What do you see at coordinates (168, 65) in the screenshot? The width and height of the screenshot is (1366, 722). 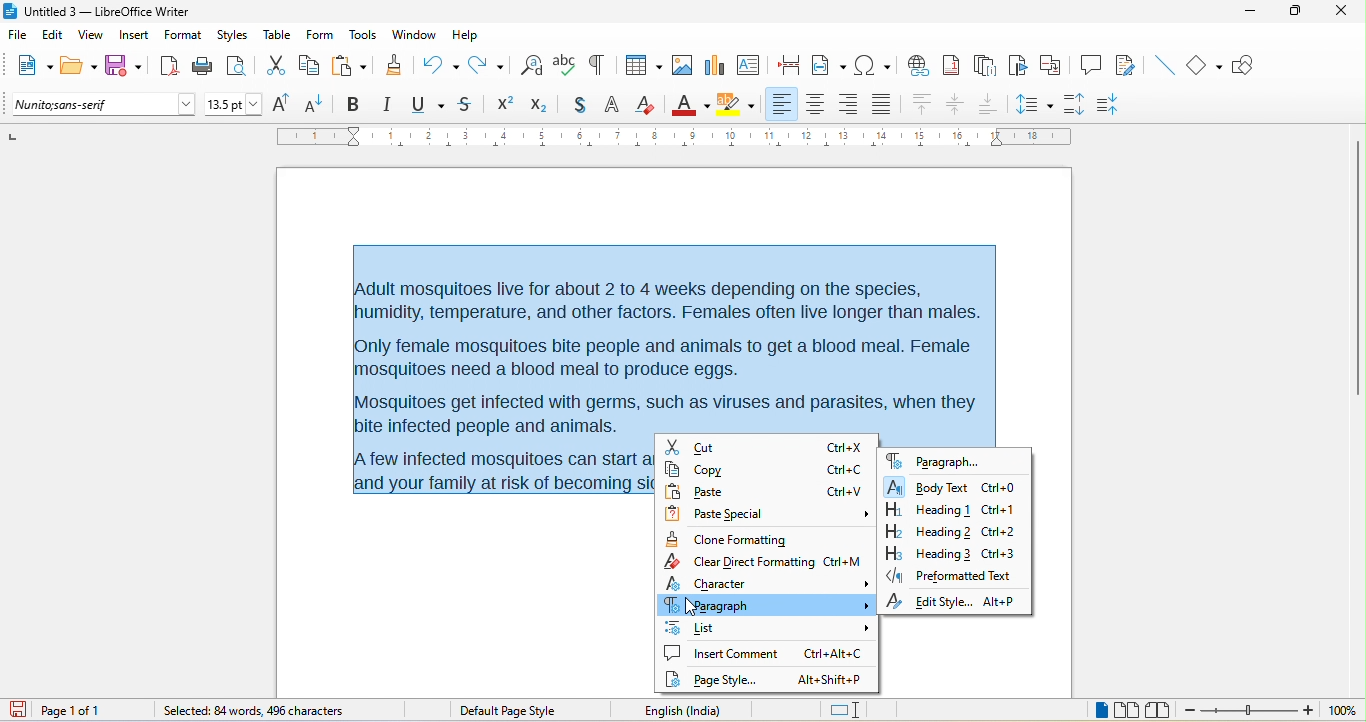 I see `export directly as pdf` at bounding box center [168, 65].